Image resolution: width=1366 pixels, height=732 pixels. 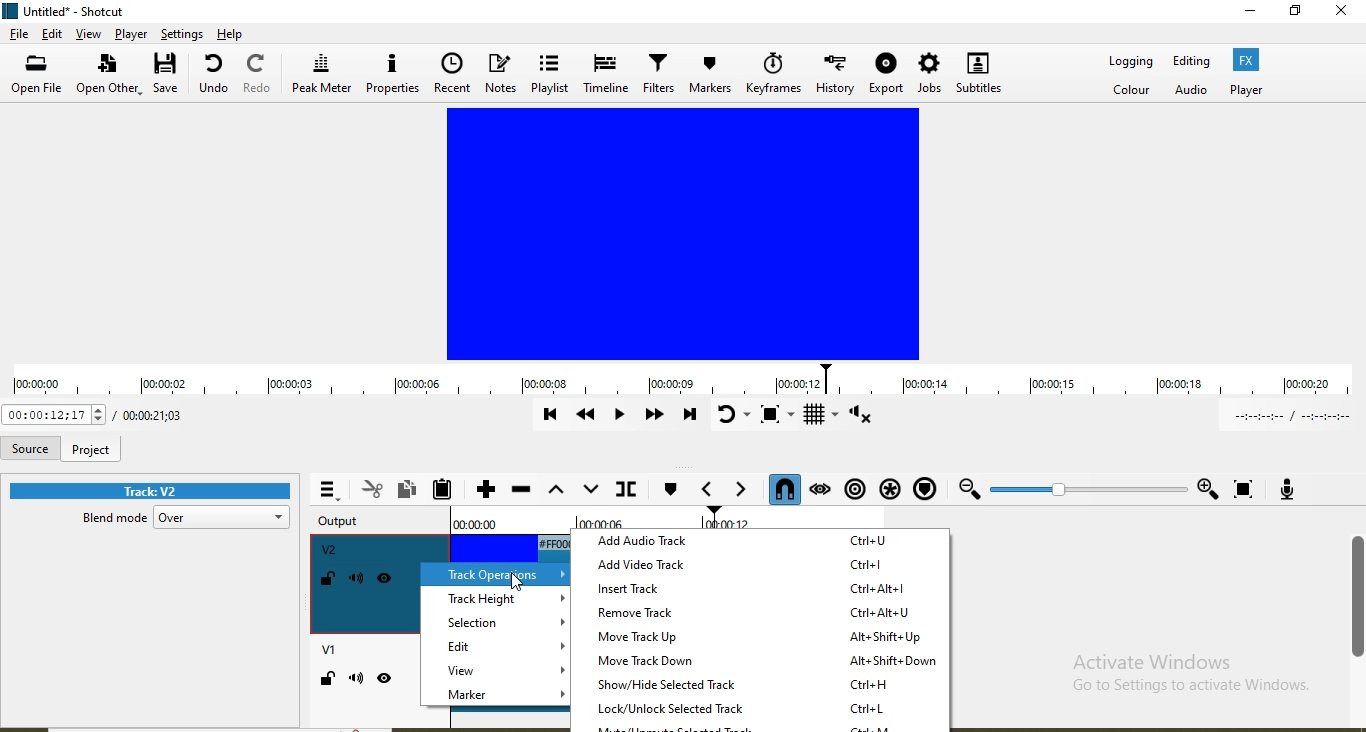 I want to click on Hide, so click(x=386, y=681).